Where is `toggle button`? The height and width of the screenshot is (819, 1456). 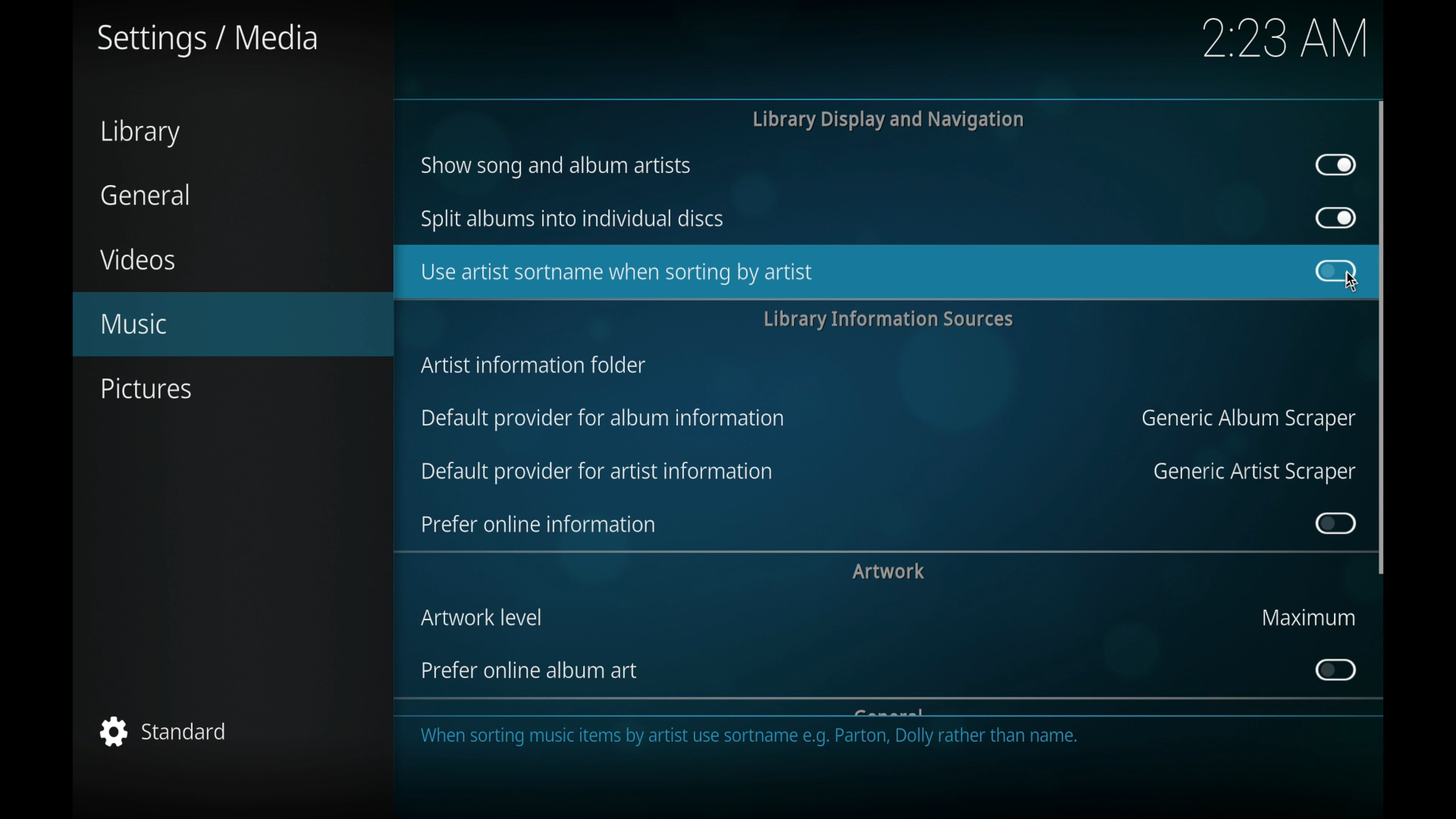
toggle button is located at coordinates (1336, 165).